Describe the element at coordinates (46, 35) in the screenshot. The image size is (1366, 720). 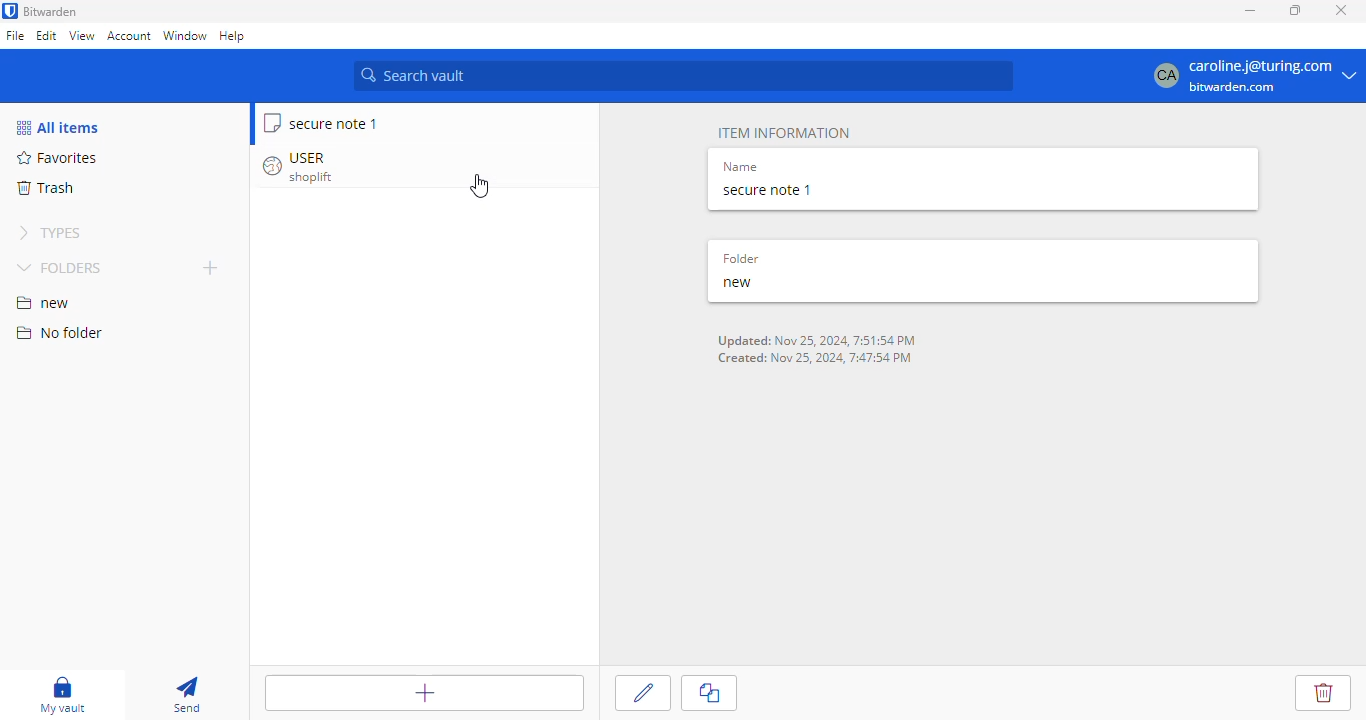
I see `edit` at that location.